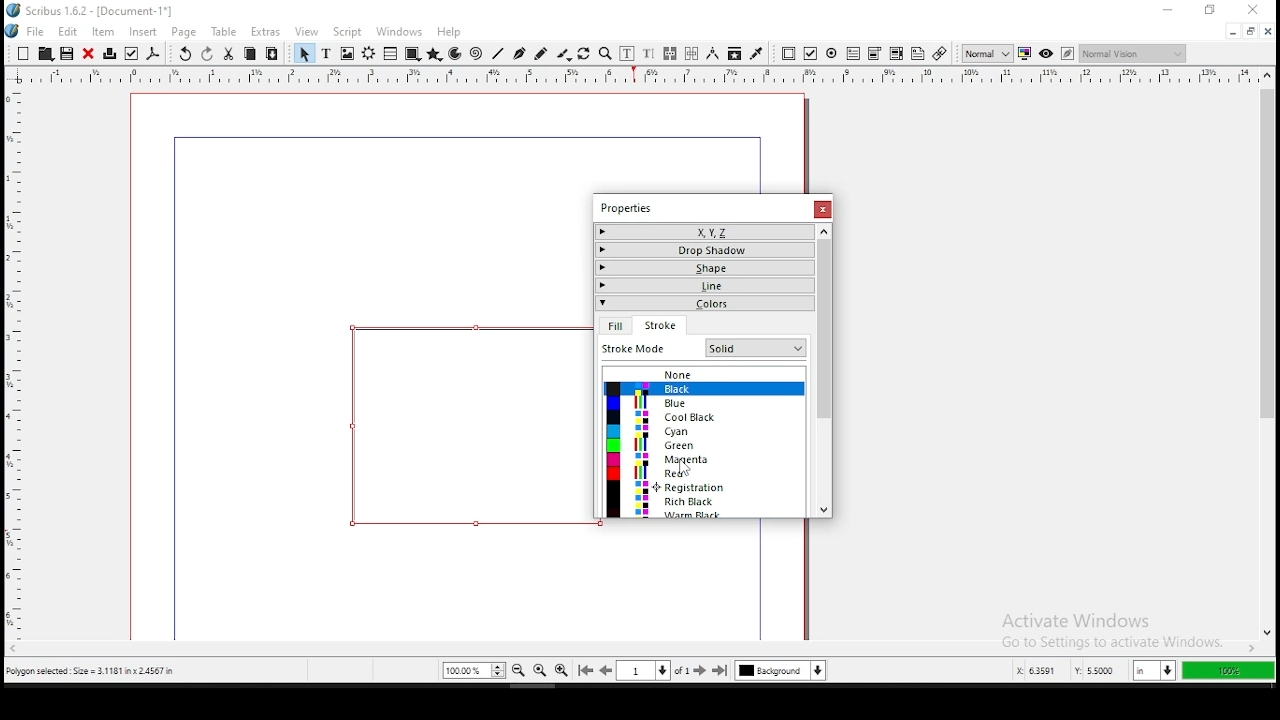 The height and width of the screenshot is (720, 1280). Describe the element at coordinates (807, 146) in the screenshot. I see `scrollbar` at that location.